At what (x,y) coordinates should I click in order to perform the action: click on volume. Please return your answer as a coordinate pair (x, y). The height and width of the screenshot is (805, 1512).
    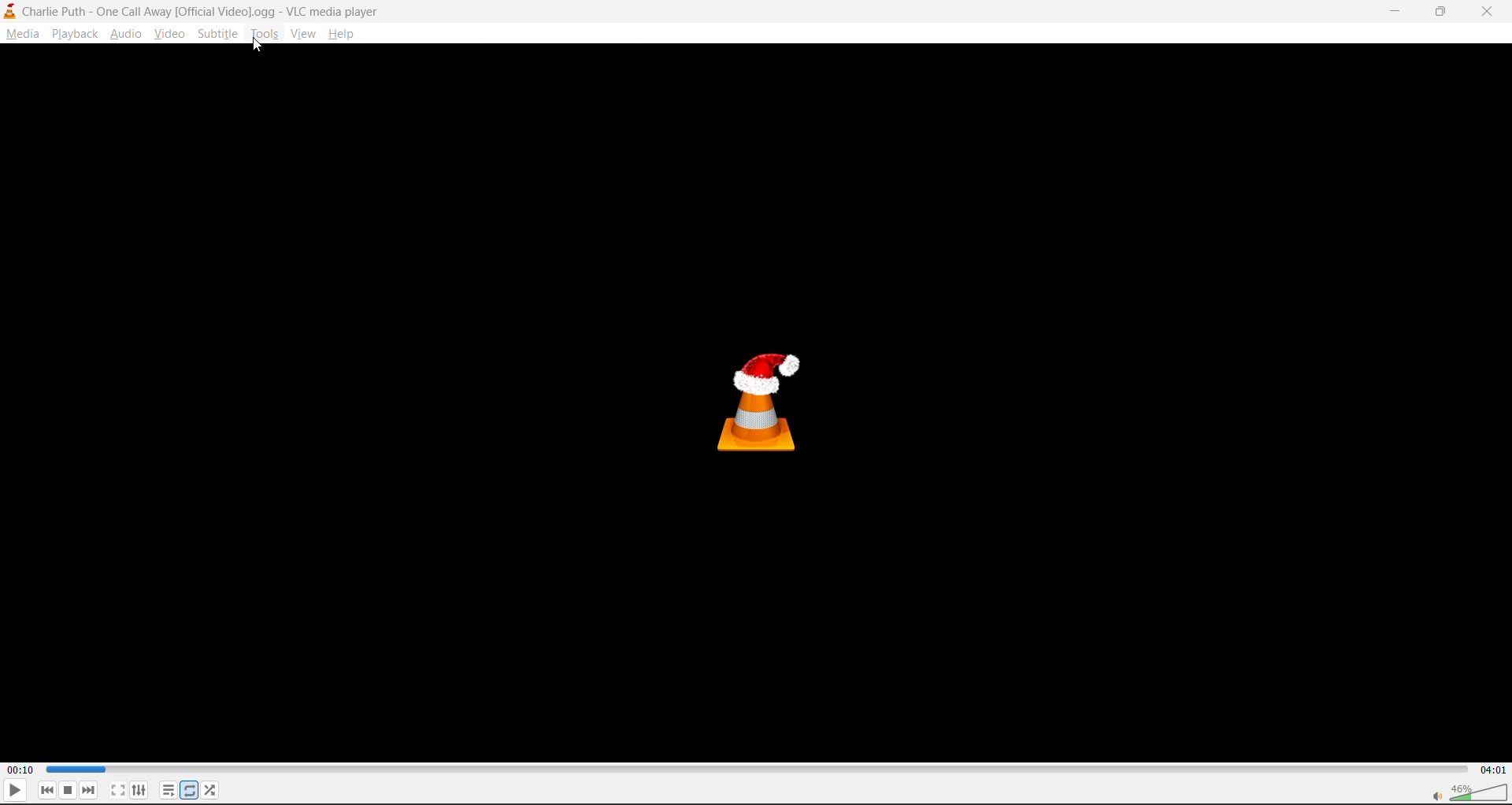
    Looking at the image, I should click on (1465, 791).